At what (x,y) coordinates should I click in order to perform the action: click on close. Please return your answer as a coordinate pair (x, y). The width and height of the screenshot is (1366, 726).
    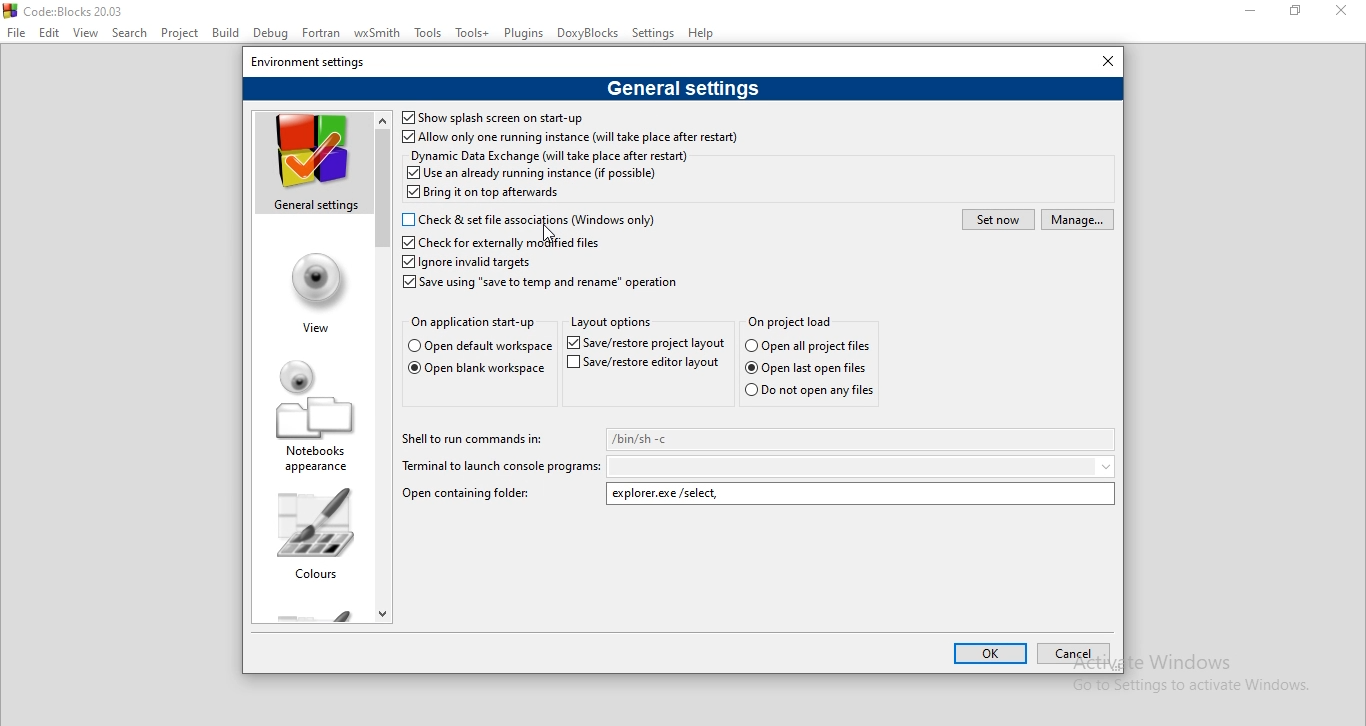
    Looking at the image, I should click on (1099, 61).